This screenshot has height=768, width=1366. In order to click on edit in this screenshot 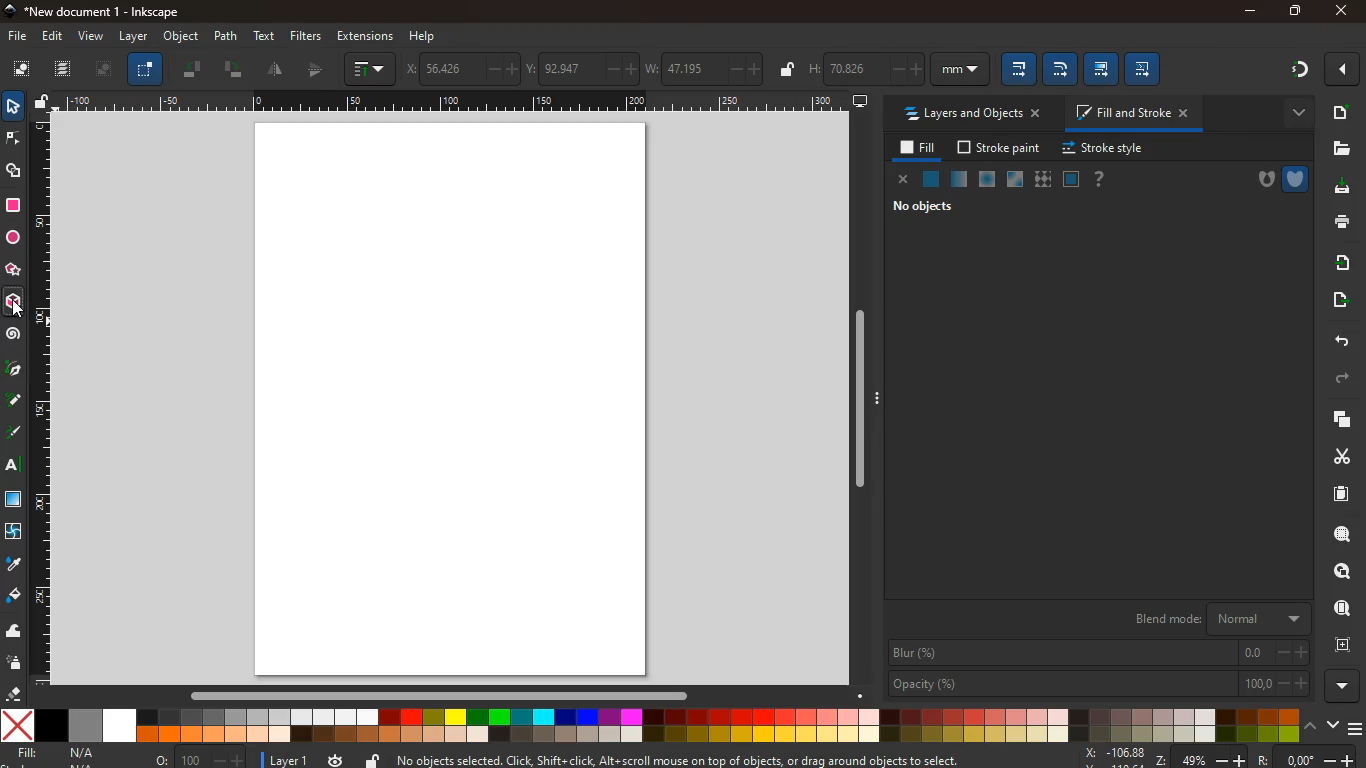, I will do `click(1101, 68)`.